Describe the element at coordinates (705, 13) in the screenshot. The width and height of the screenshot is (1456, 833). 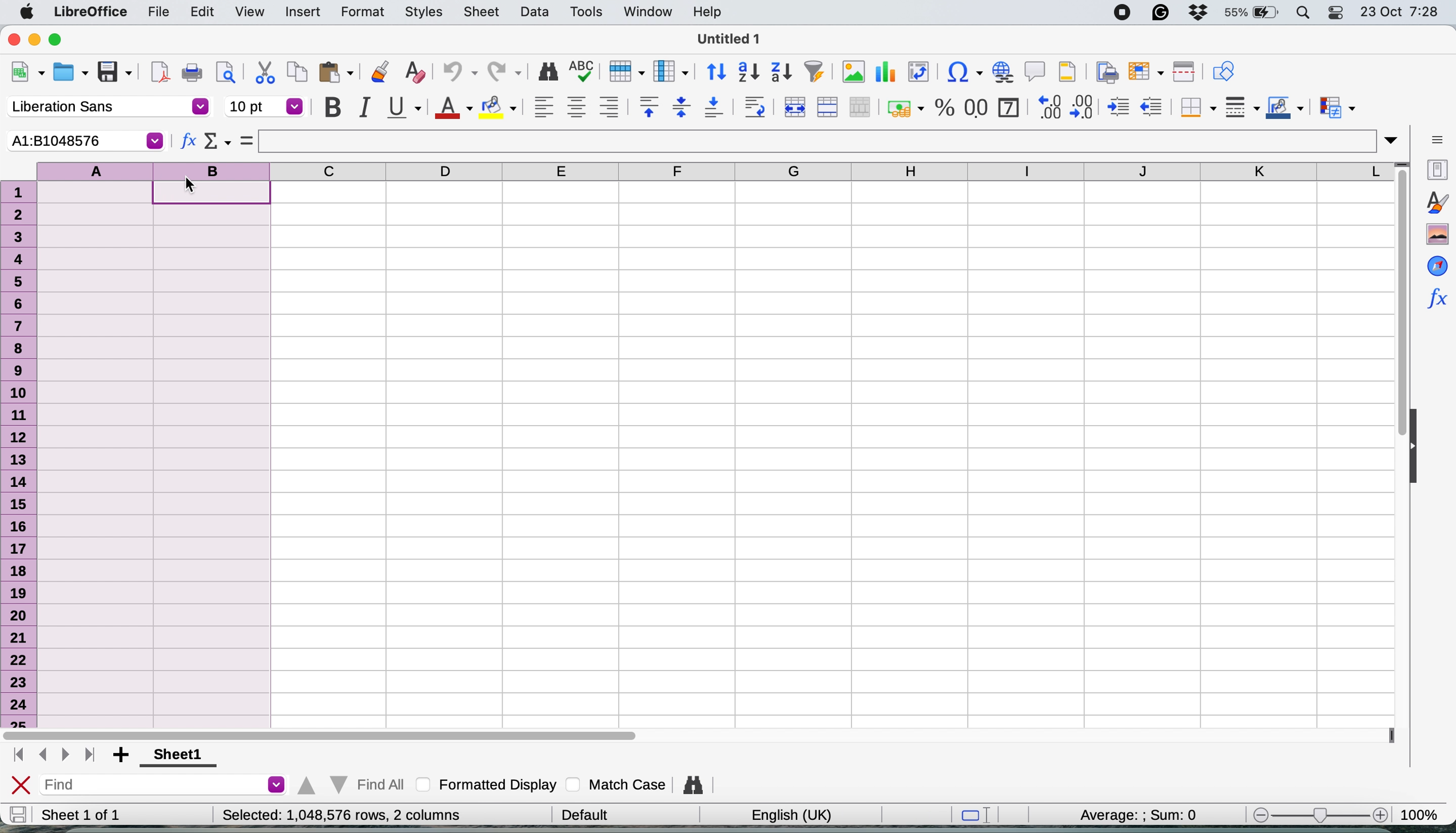
I see `help` at that location.